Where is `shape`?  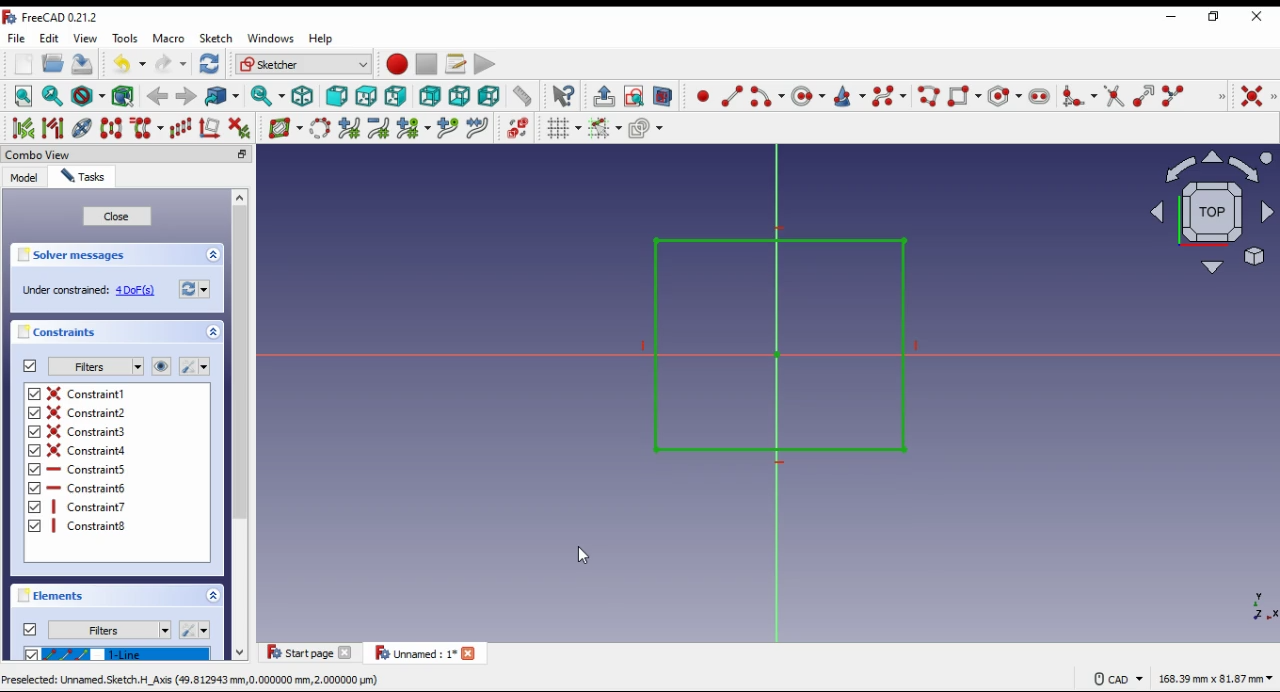
shape is located at coordinates (781, 348).